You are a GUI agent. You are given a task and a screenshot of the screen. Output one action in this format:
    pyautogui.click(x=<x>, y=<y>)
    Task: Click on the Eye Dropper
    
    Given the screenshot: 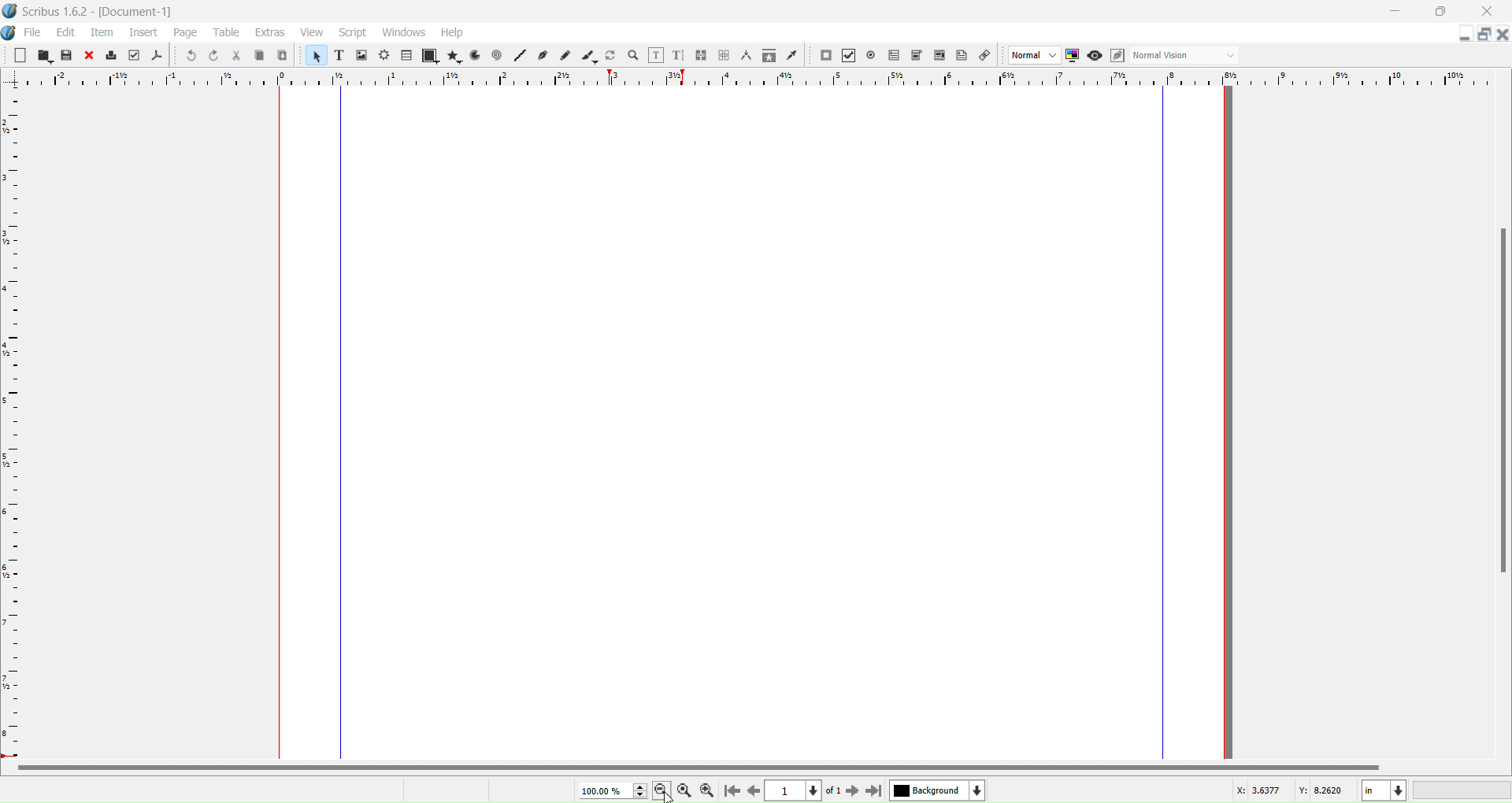 What is the action you would take?
    pyautogui.click(x=793, y=55)
    